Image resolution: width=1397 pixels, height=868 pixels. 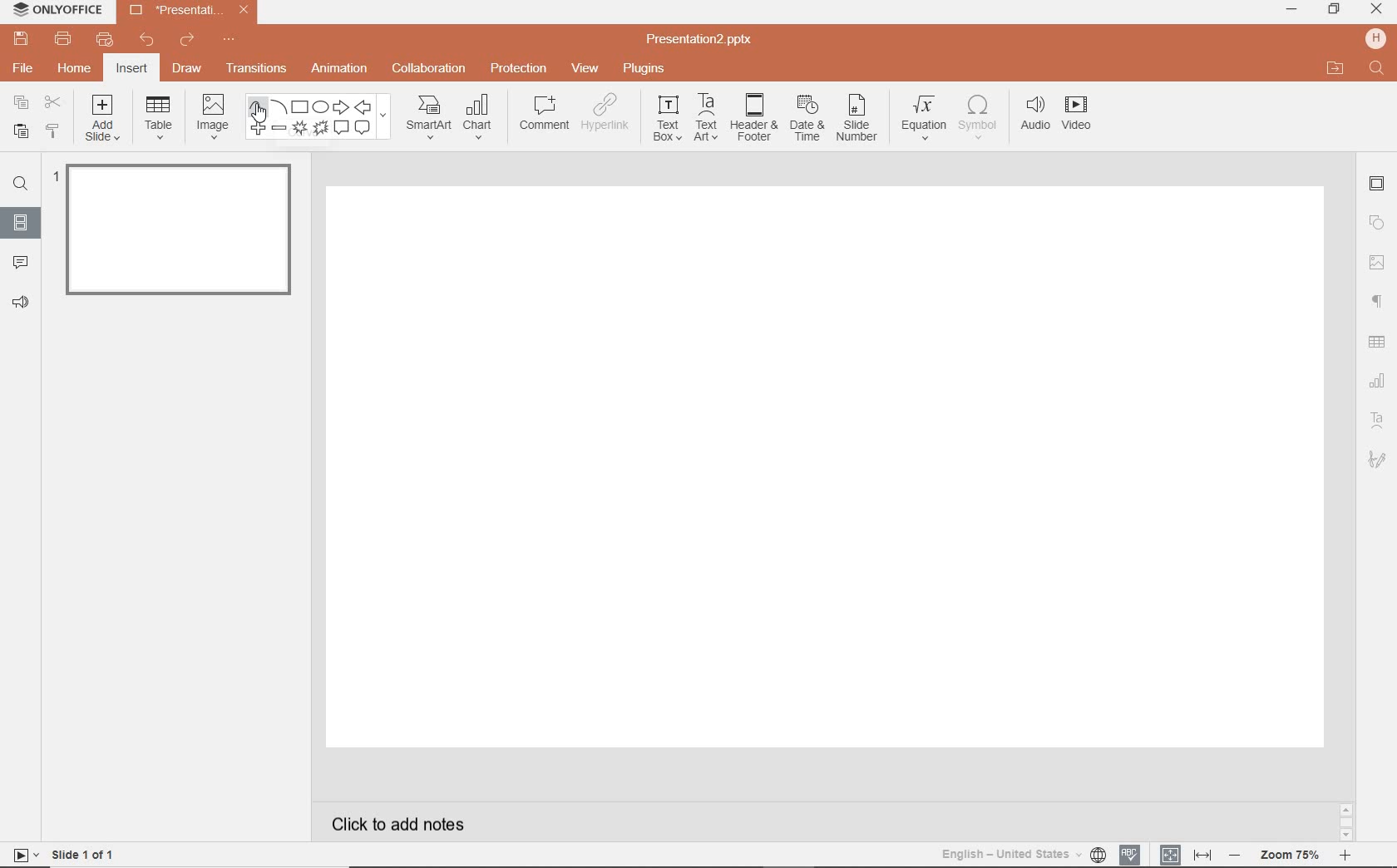 What do you see at coordinates (52, 102) in the screenshot?
I see `CUT` at bounding box center [52, 102].